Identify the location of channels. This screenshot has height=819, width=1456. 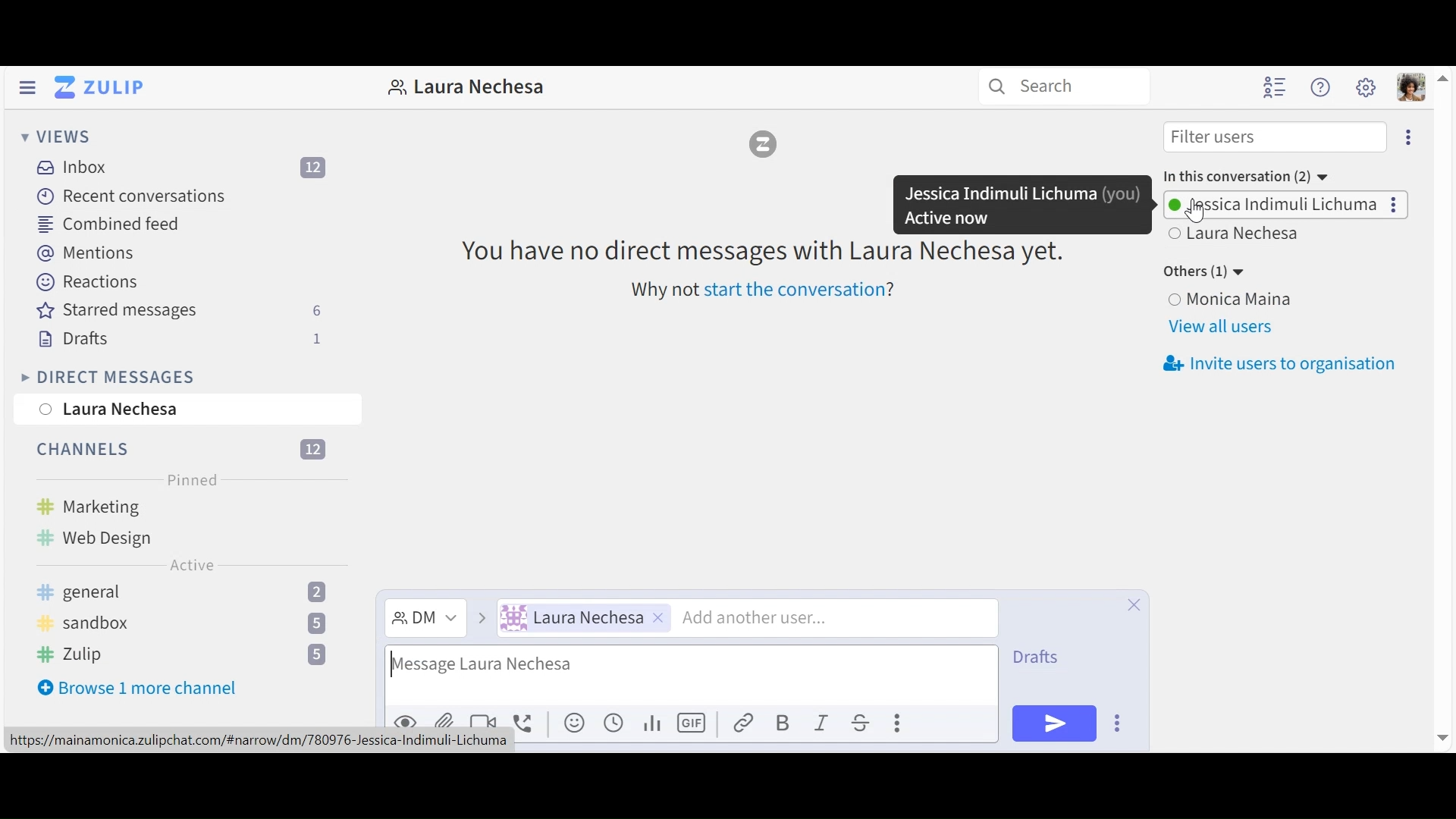
(176, 449).